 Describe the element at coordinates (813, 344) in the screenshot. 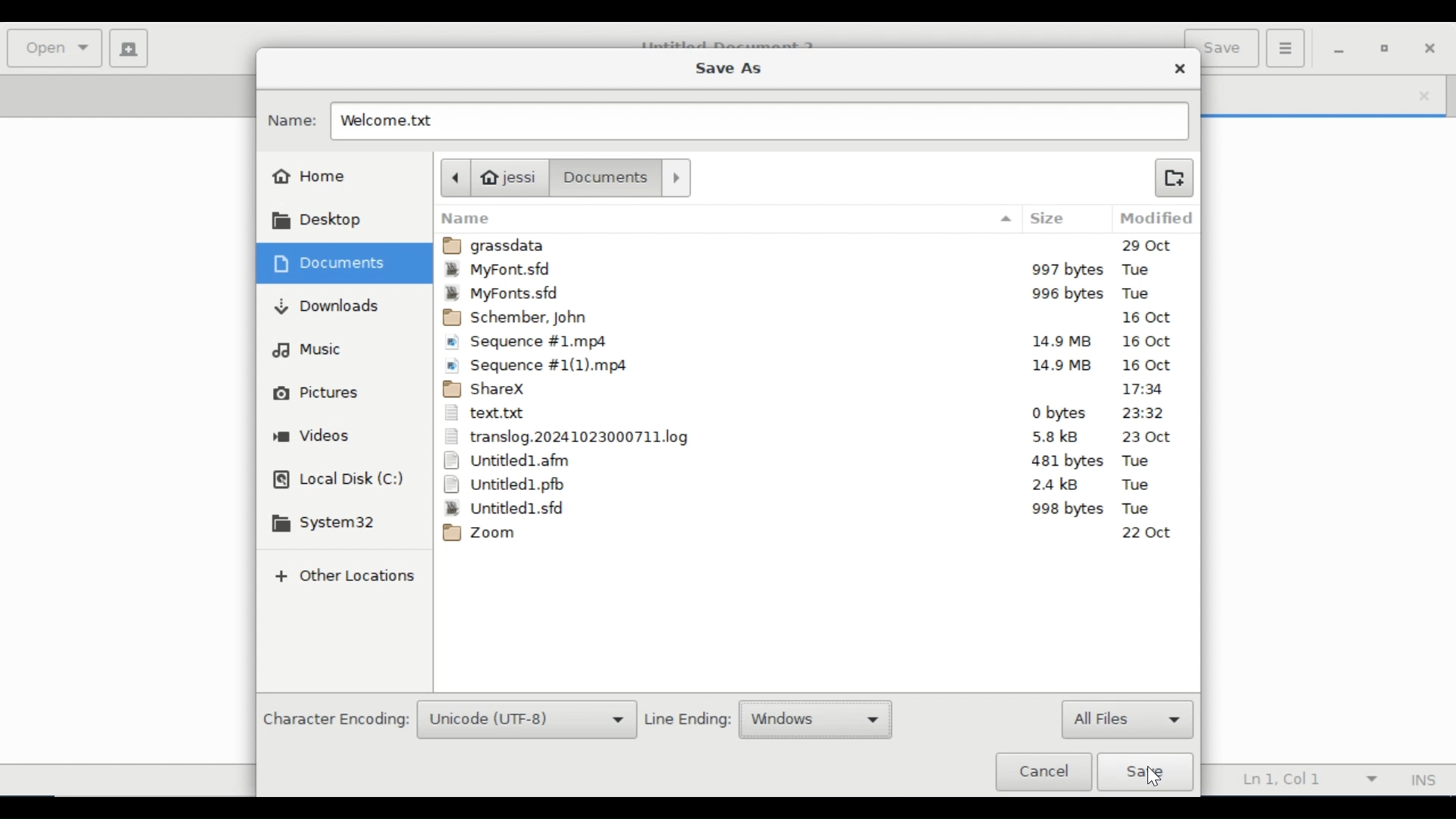

I see `Sequence #1mp4 14.9 MB 16Oct` at that location.